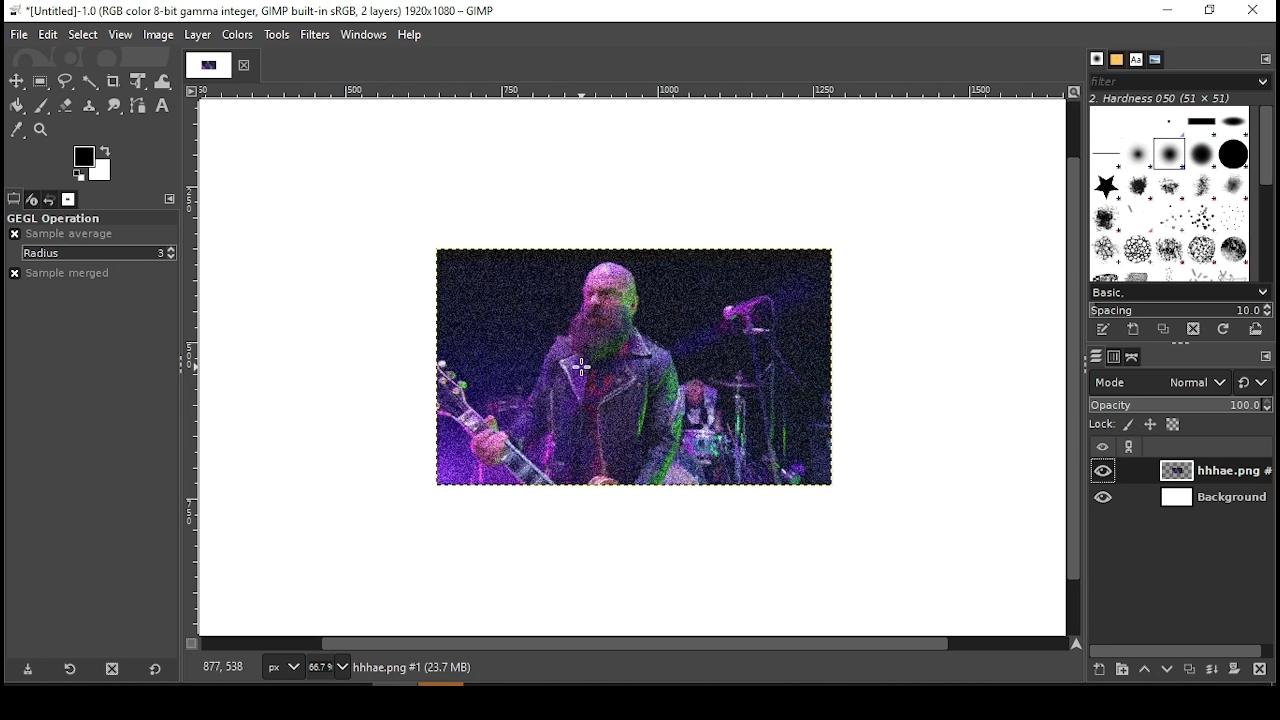 This screenshot has height=720, width=1280. What do you see at coordinates (31, 198) in the screenshot?
I see `device status` at bounding box center [31, 198].